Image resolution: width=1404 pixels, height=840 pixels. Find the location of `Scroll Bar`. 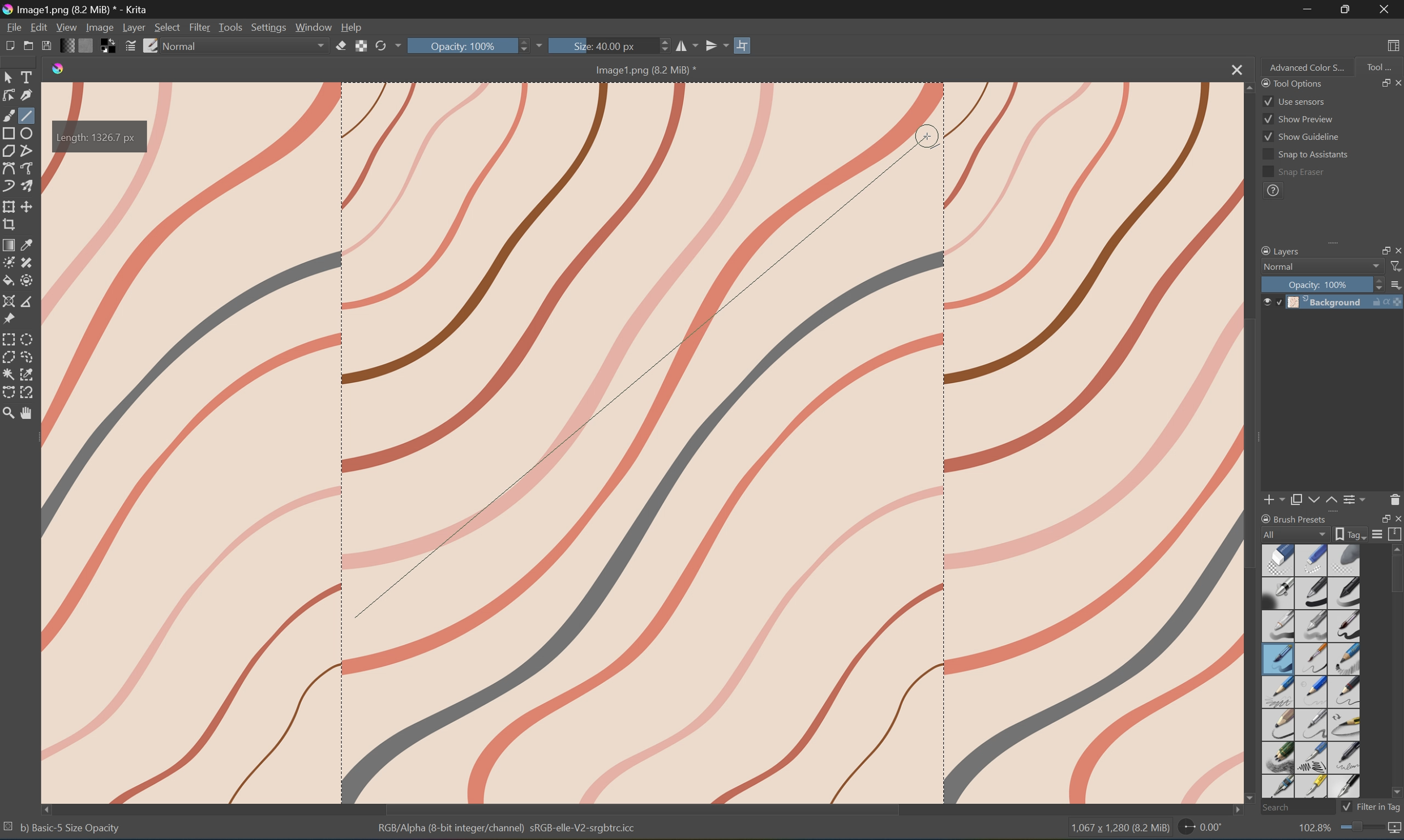

Scroll Bar is located at coordinates (643, 809).